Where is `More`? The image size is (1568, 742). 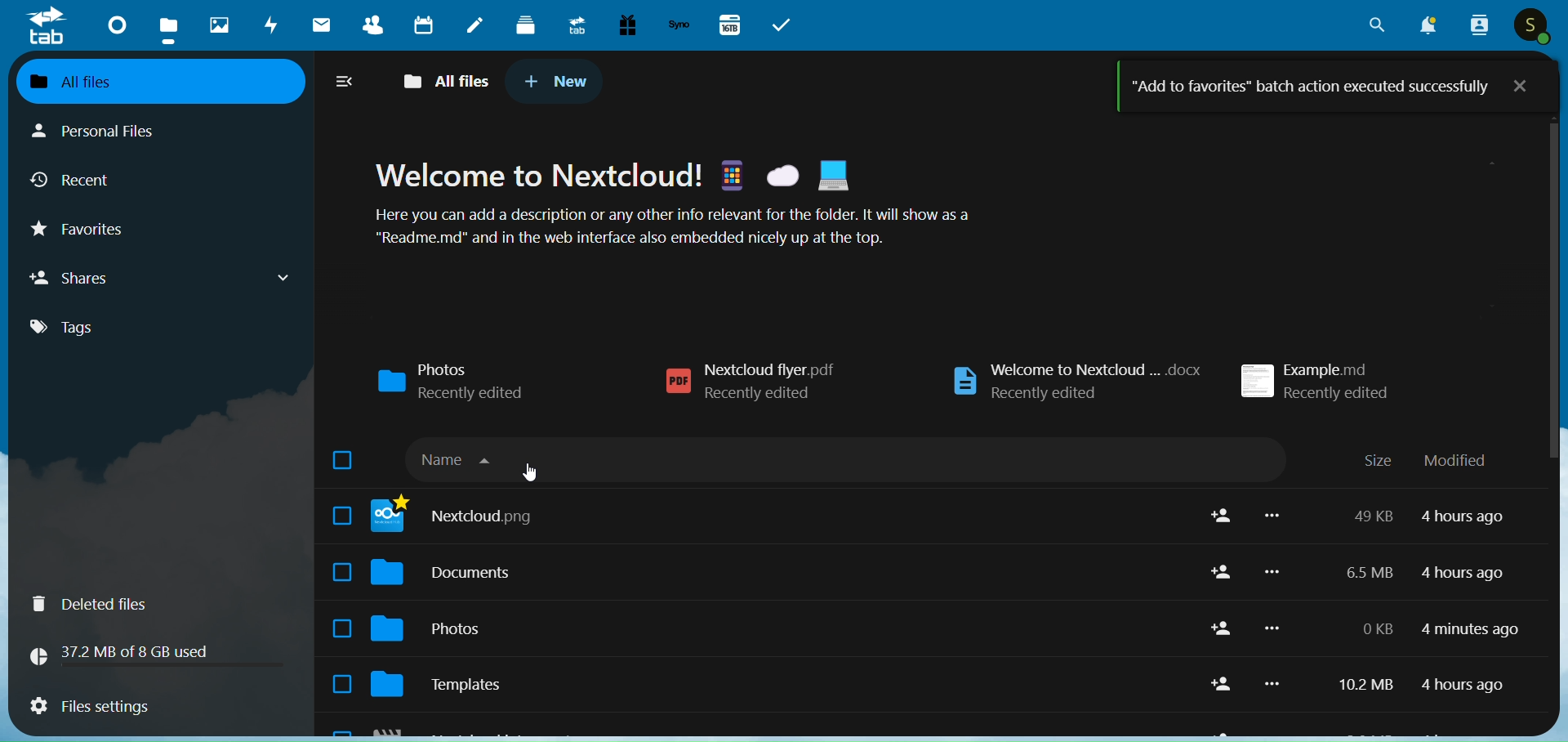 More is located at coordinates (1272, 571).